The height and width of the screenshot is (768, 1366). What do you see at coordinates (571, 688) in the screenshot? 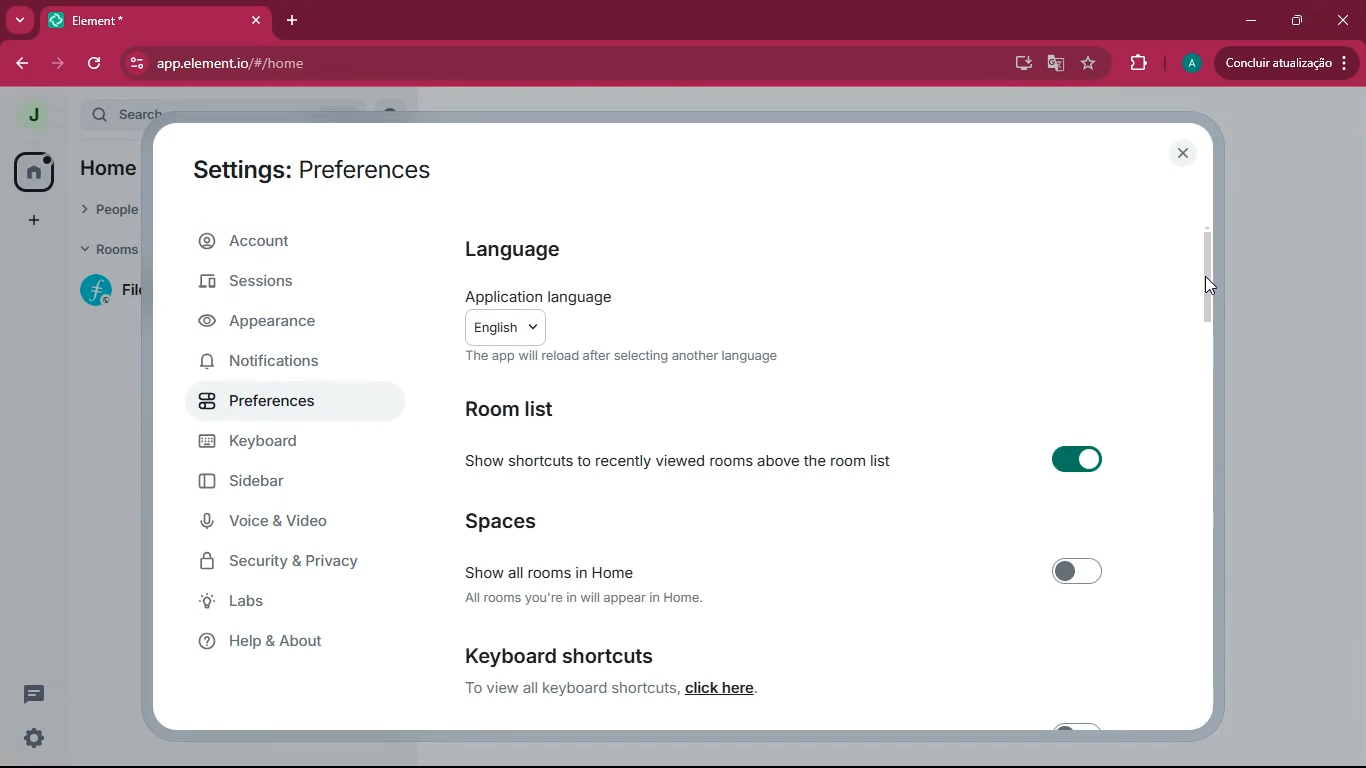
I see `To view all keyboard shortcuts` at bounding box center [571, 688].